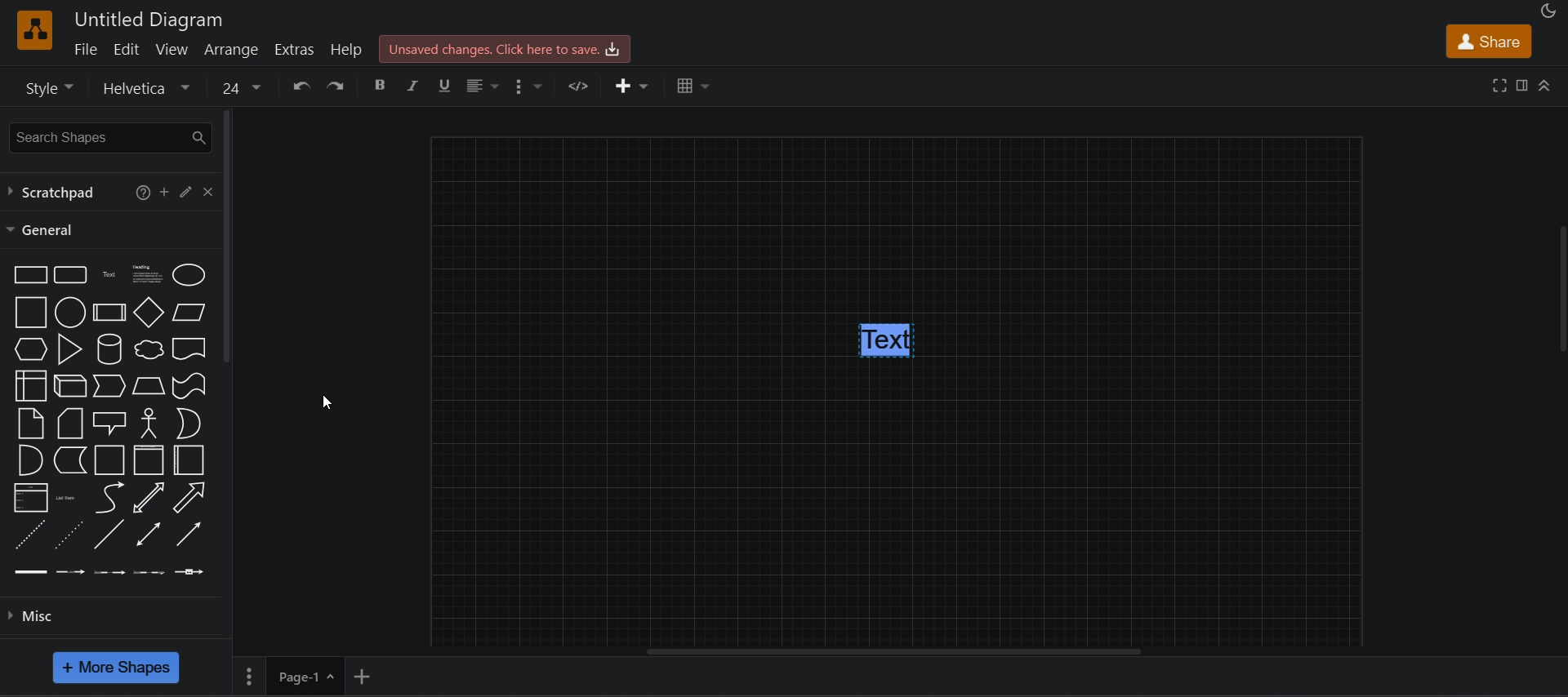 This screenshot has height=697, width=1568. What do you see at coordinates (149, 423) in the screenshot?
I see `Actor` at bounding box center [149, 423].